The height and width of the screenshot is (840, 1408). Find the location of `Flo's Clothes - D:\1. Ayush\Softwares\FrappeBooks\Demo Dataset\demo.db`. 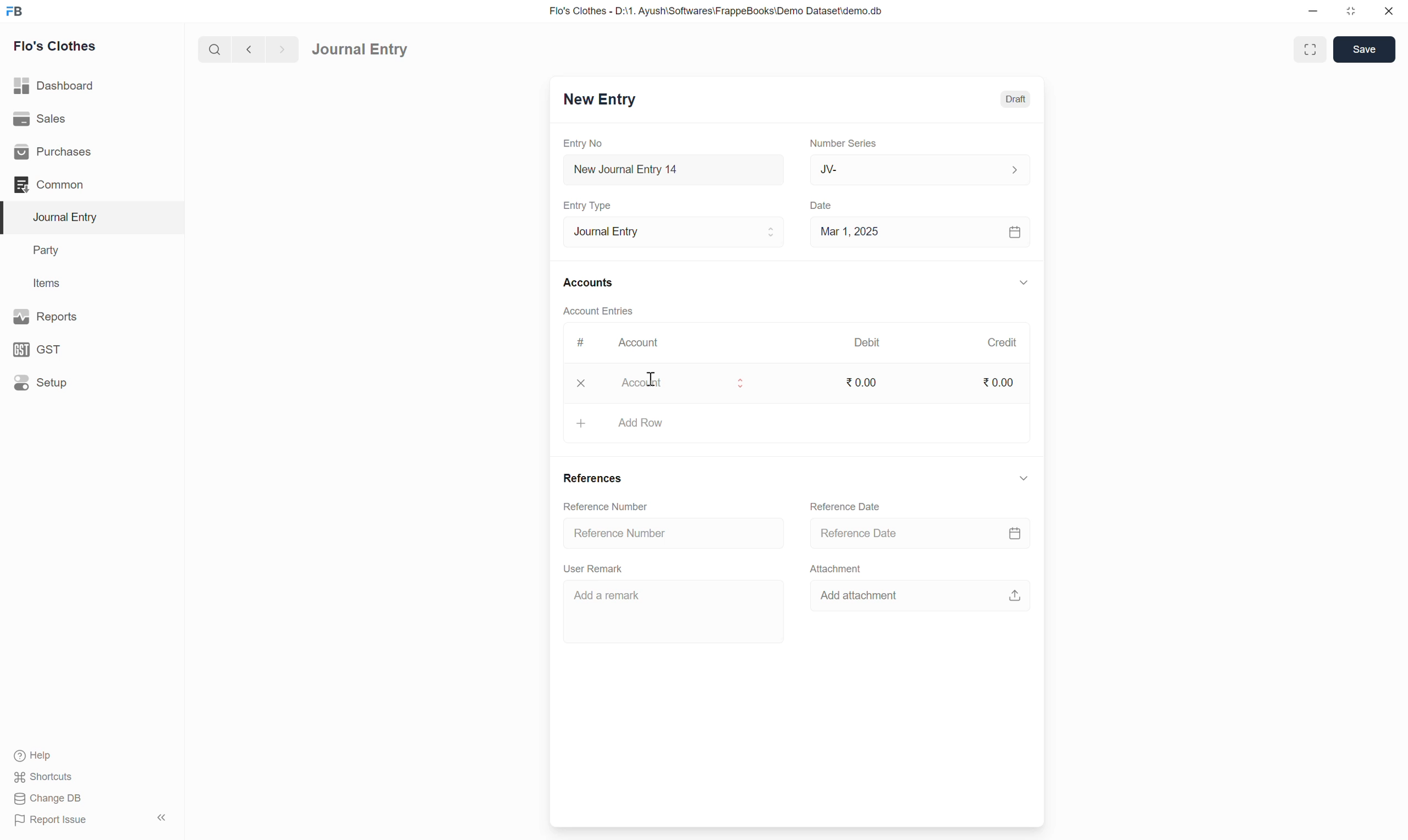

Flo's Clothes - D:\1. Ayush\Softwares\FrappeBooks\Demo Dataset\demo.db is located at coordinates (719, 10).